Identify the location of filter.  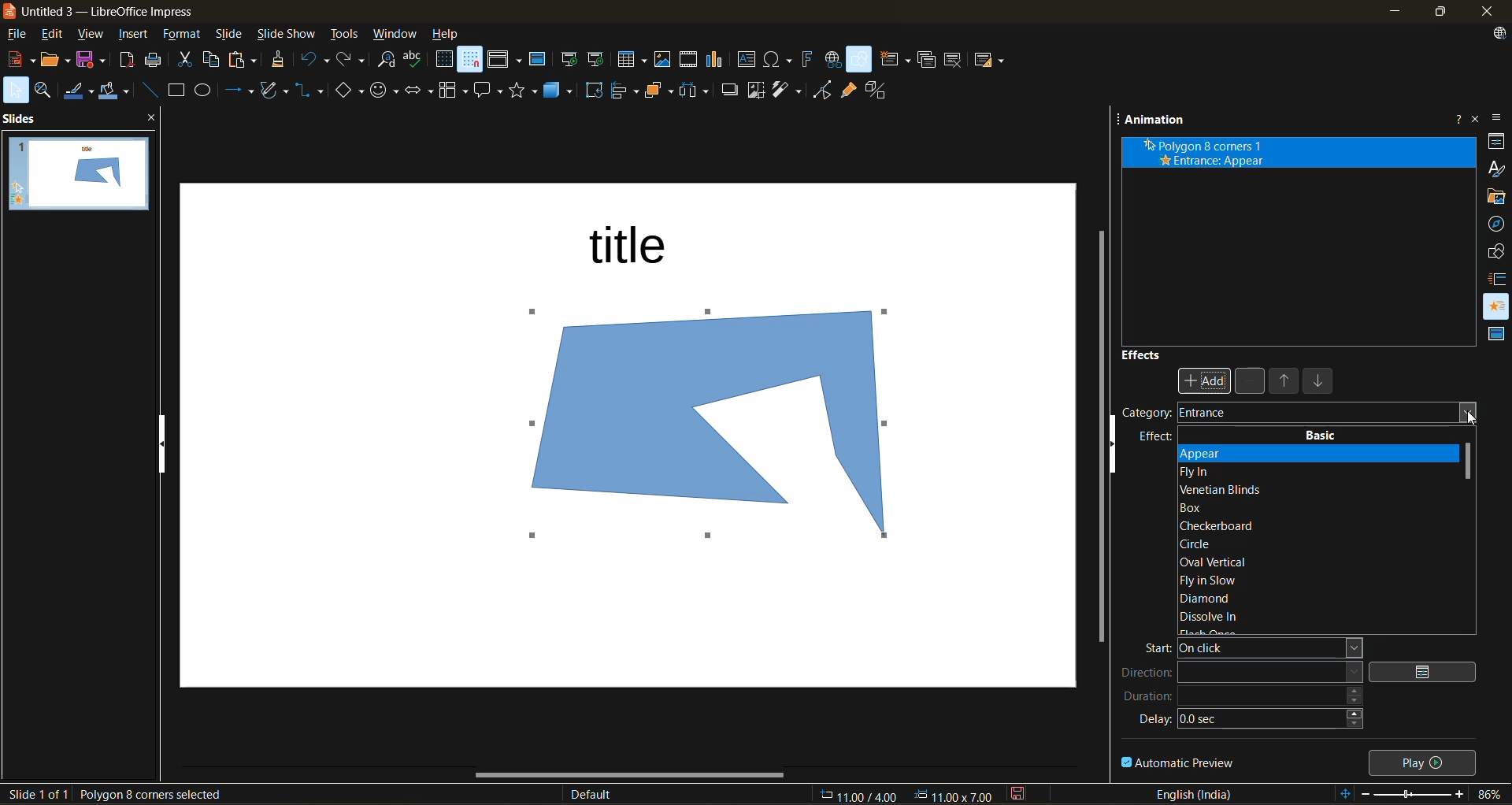
(790, 91).